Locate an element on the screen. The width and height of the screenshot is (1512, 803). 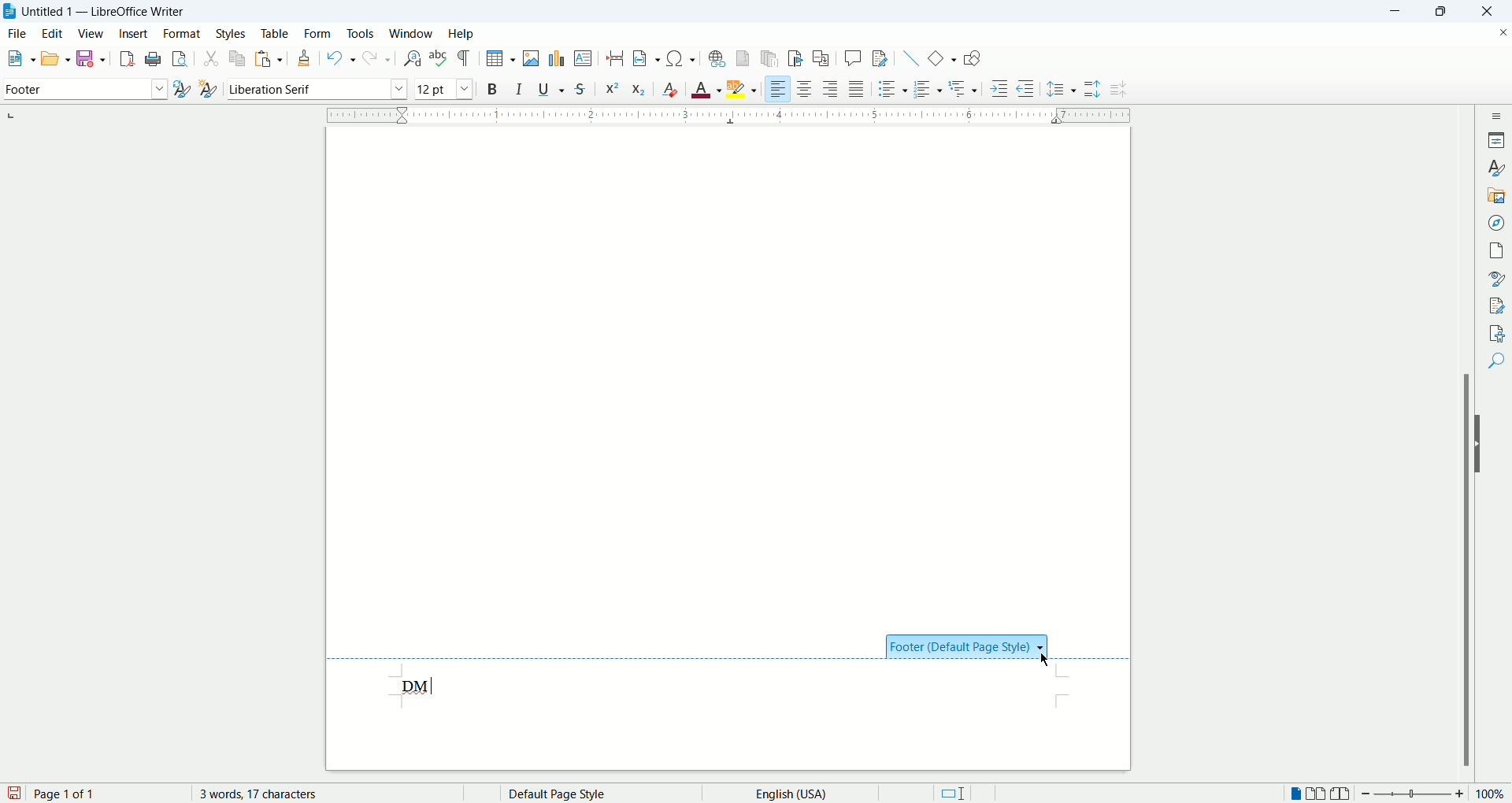
zoom percent is located at coordinates (1492, 795).